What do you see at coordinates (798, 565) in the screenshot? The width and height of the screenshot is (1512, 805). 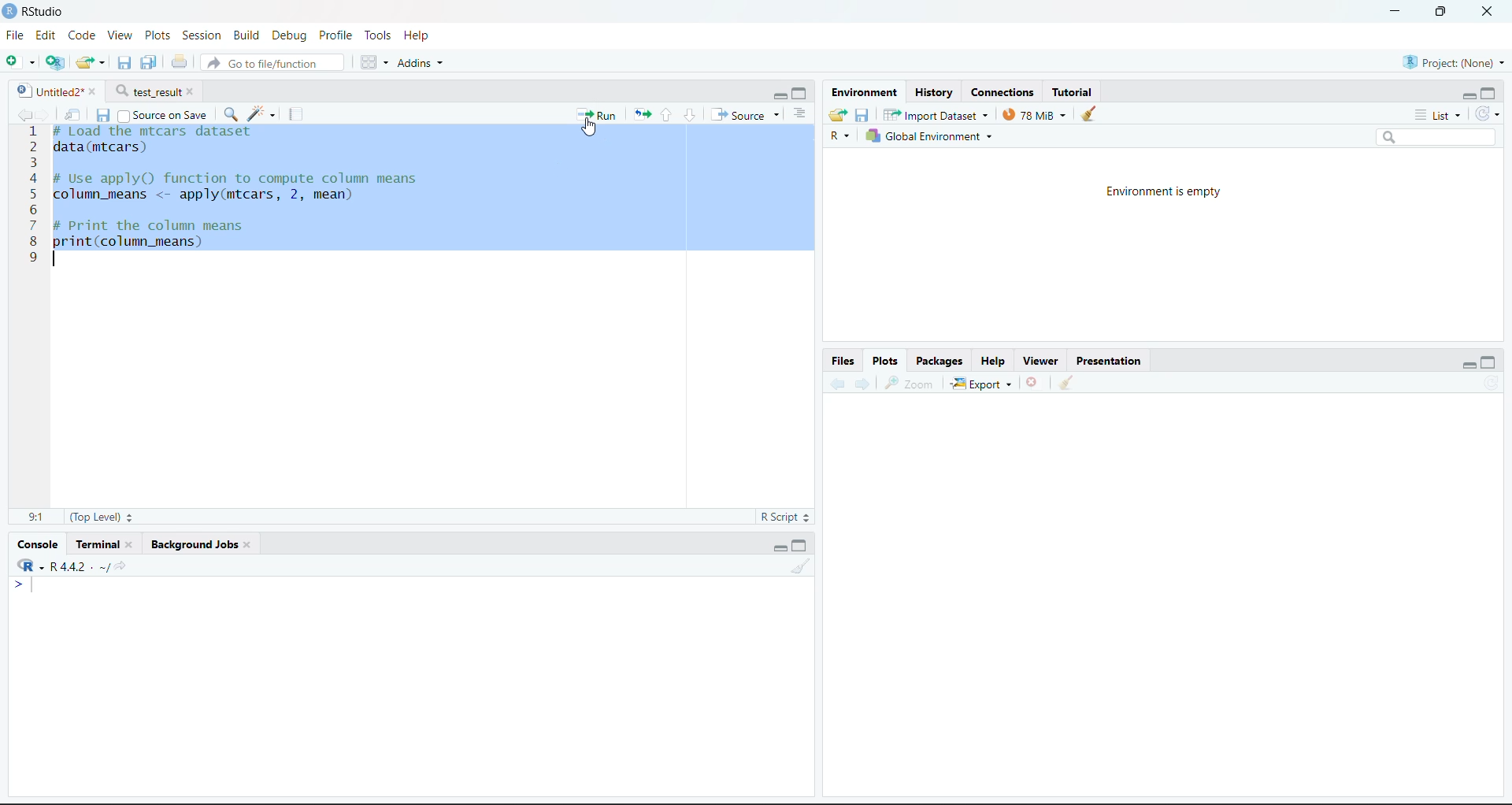 I see `Clear console (Ctrl +L)` at bounding box center [798, 565].